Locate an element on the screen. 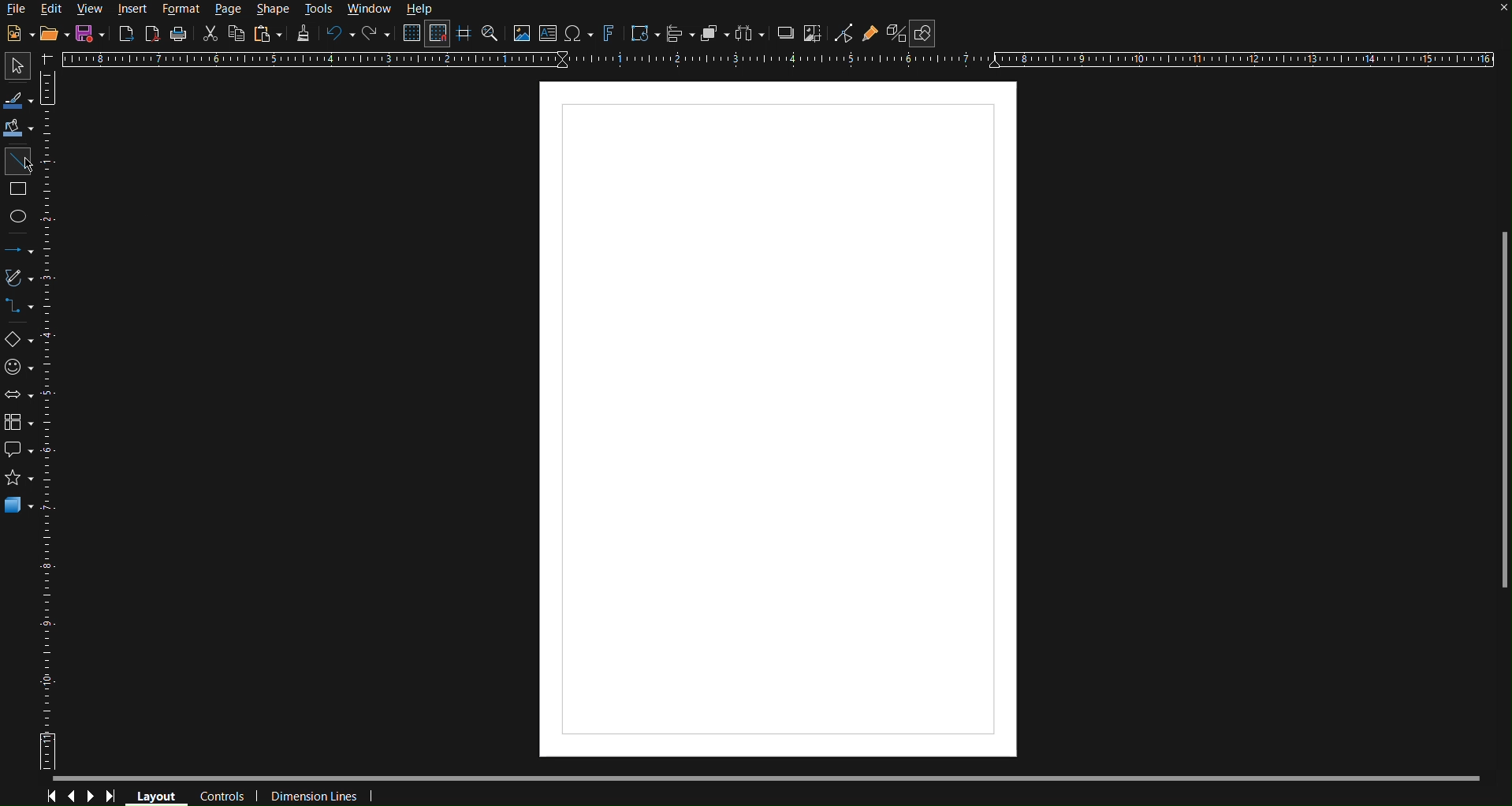 This screenshot has height=806, width=1512. Export is located at coordinates (126, 33).